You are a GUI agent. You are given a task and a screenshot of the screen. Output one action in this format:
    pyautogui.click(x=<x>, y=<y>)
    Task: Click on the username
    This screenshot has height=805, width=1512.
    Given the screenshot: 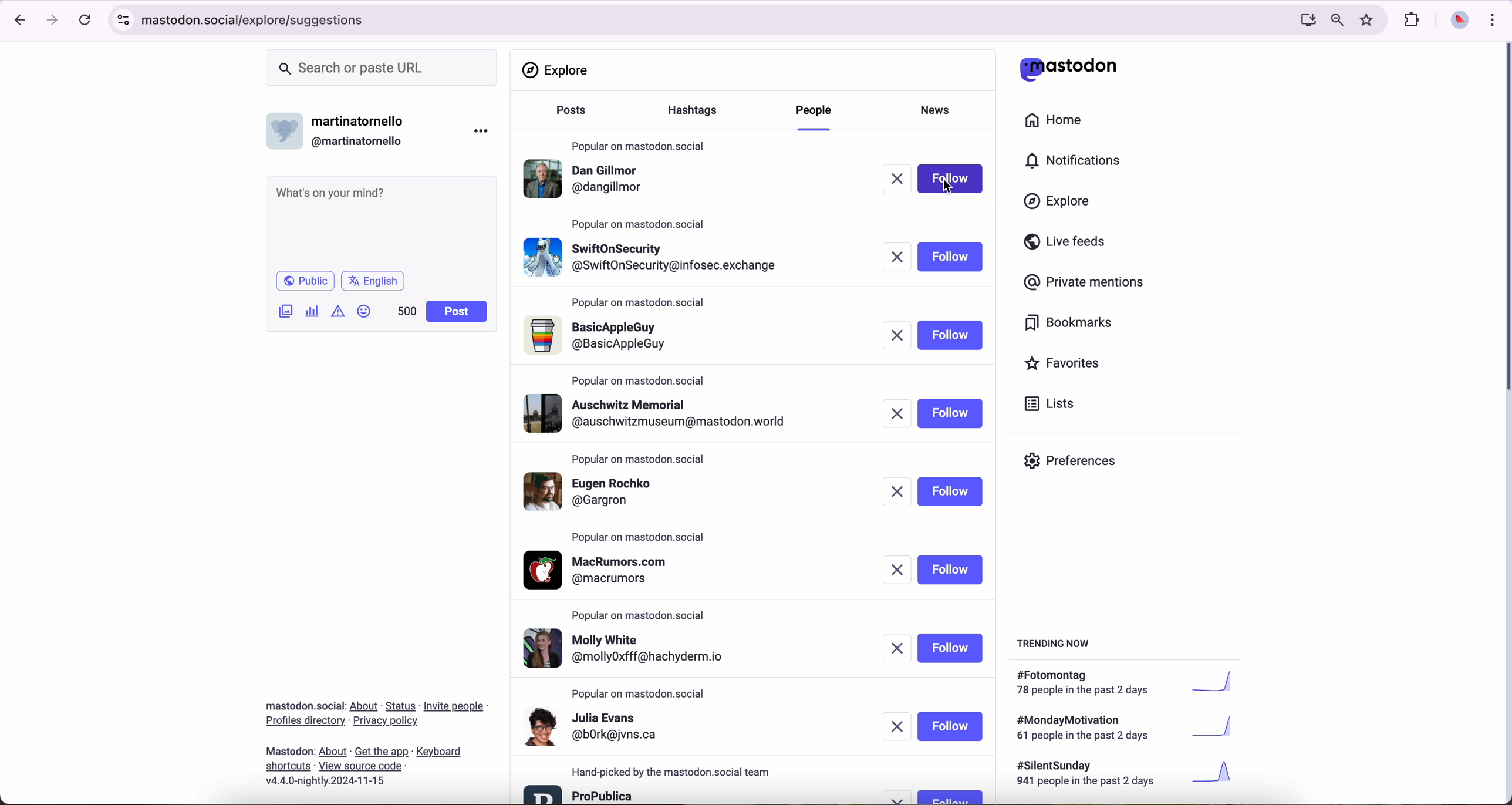 What is the action you would take?
    pyautogui.click(x=341, y=128)
    